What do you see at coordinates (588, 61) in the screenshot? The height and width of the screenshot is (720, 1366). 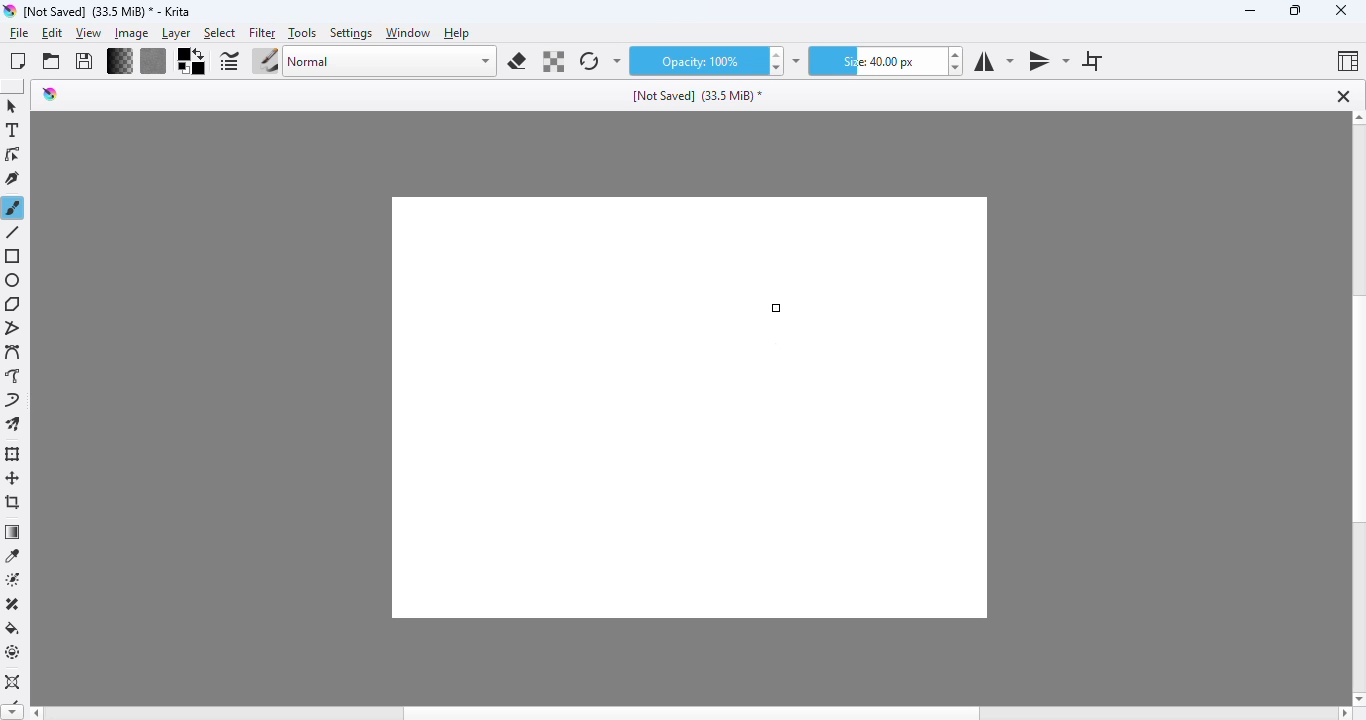 I see `reload original preset` at bounding box center [588, 61].